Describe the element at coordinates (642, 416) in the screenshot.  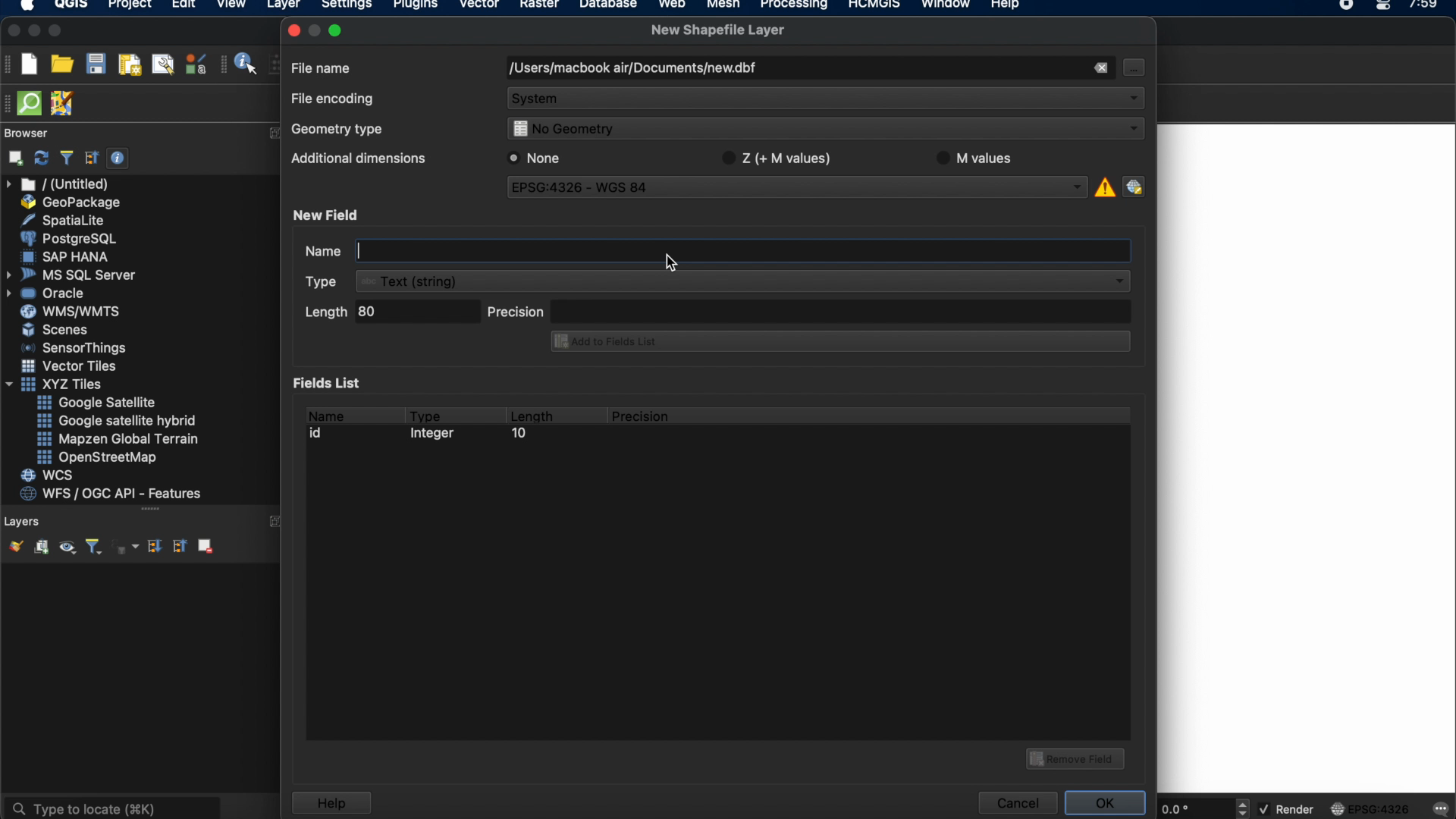
I see `precision` at that location.